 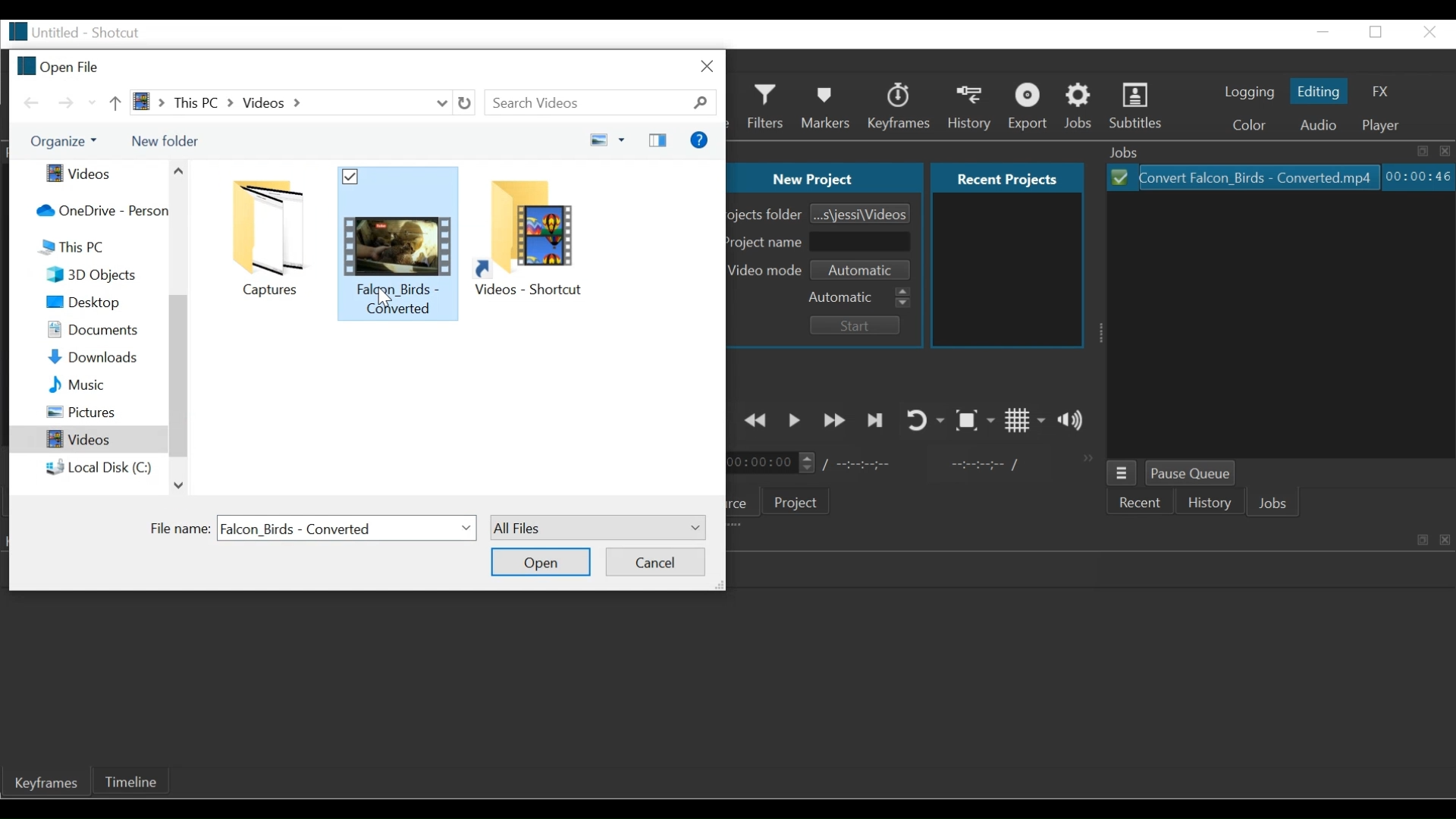 What do you see at coordinates (98, 275) in the screenshot?
I see `3D Objects` at bounding box center [98, 275].